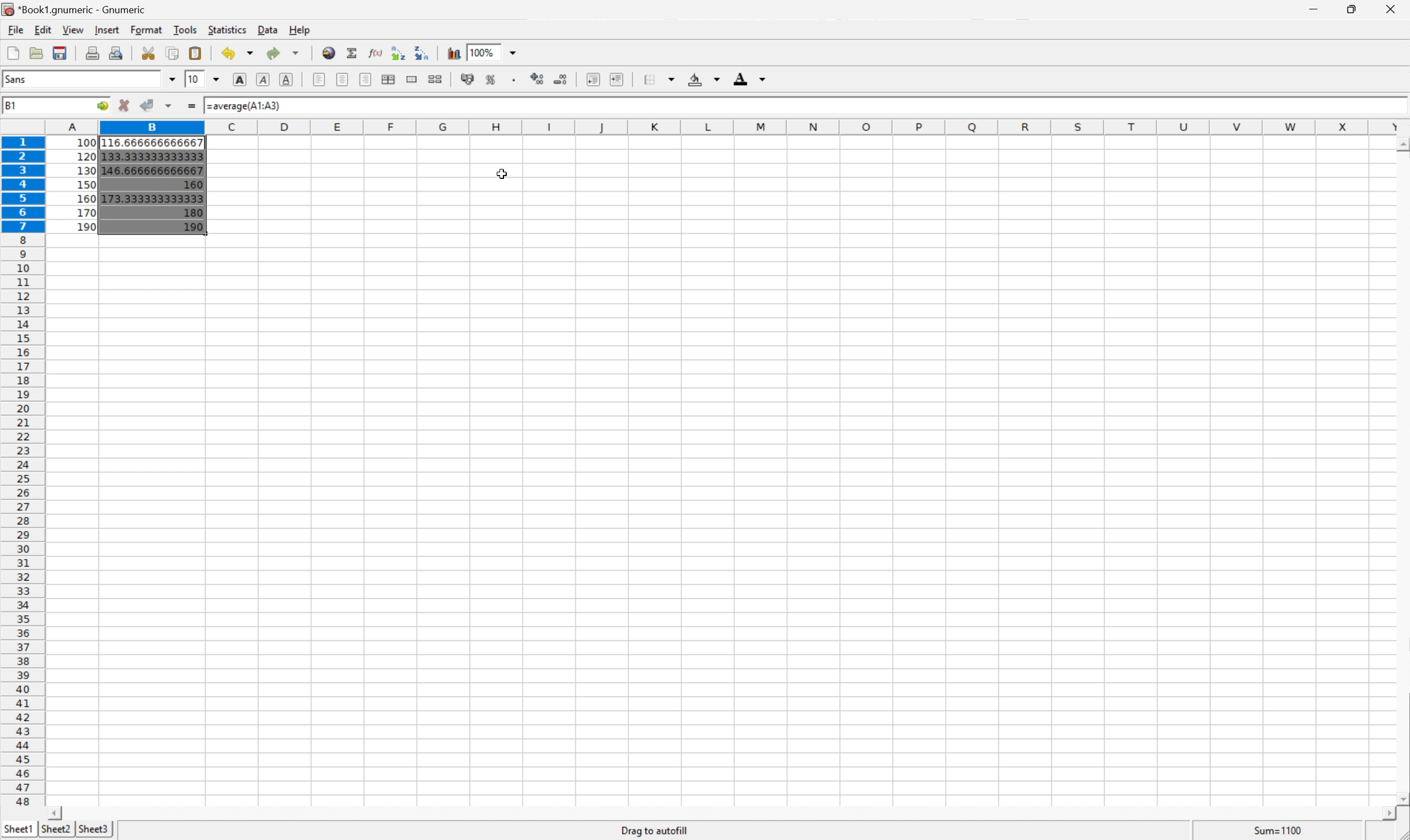 The height and width of the screenshot is (840, 1410). I want to click on Undo, so click(236, 53).